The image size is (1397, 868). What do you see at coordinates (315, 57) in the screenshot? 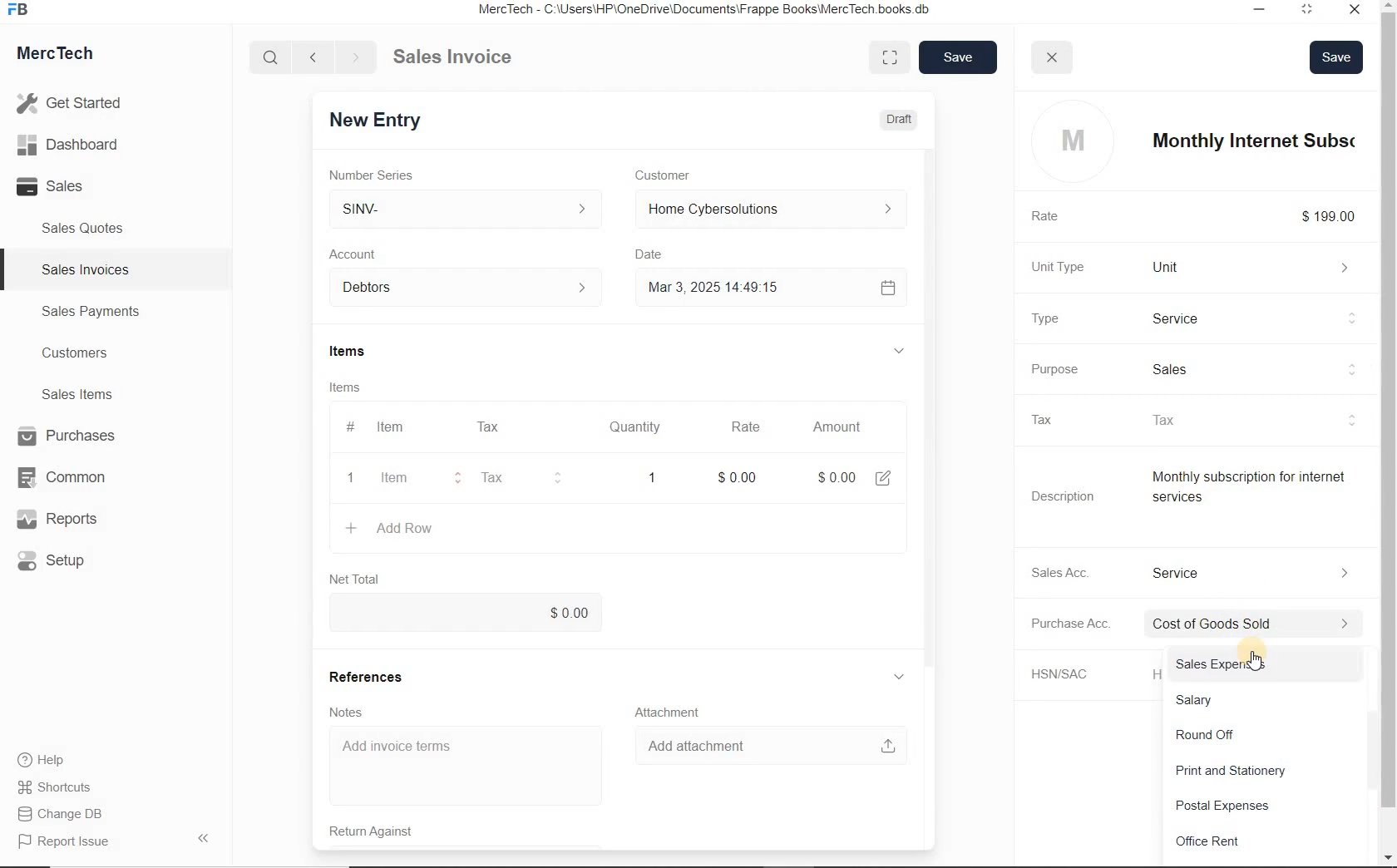
I see `Go back` at bounding box center [315, 57].